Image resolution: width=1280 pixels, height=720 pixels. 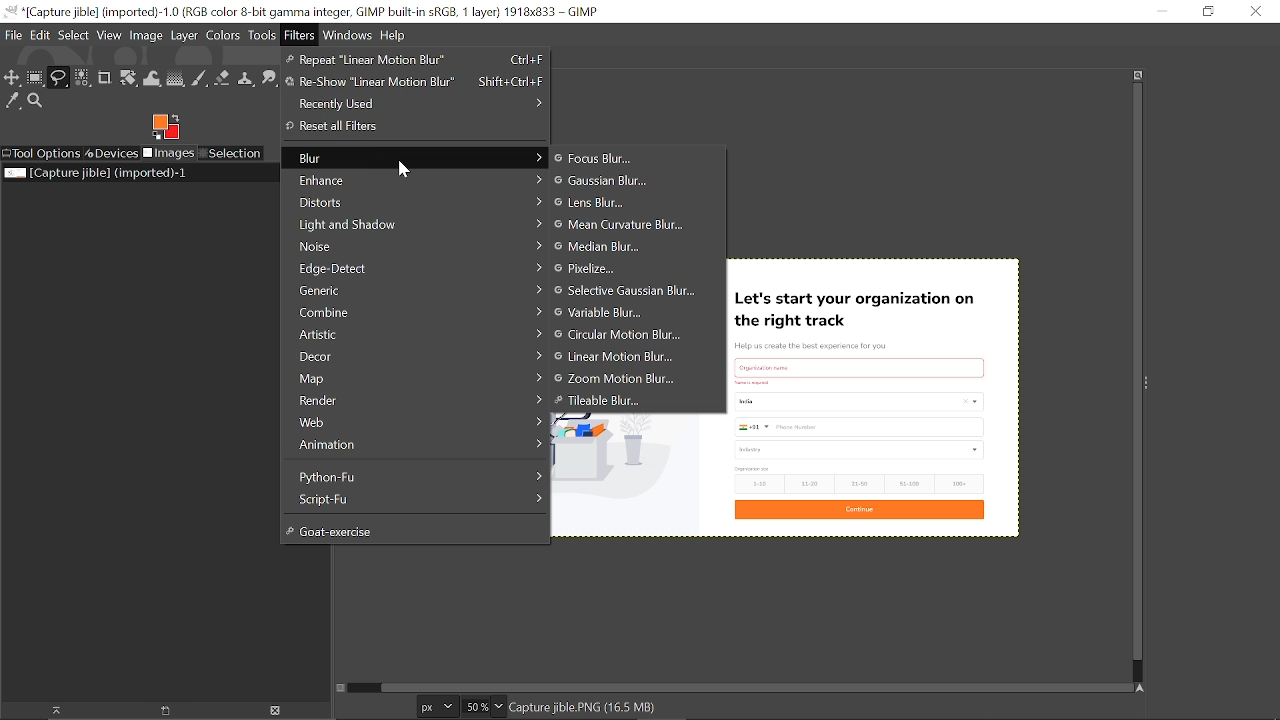 I want to click on Current image unit, so click(x=435, y=707).